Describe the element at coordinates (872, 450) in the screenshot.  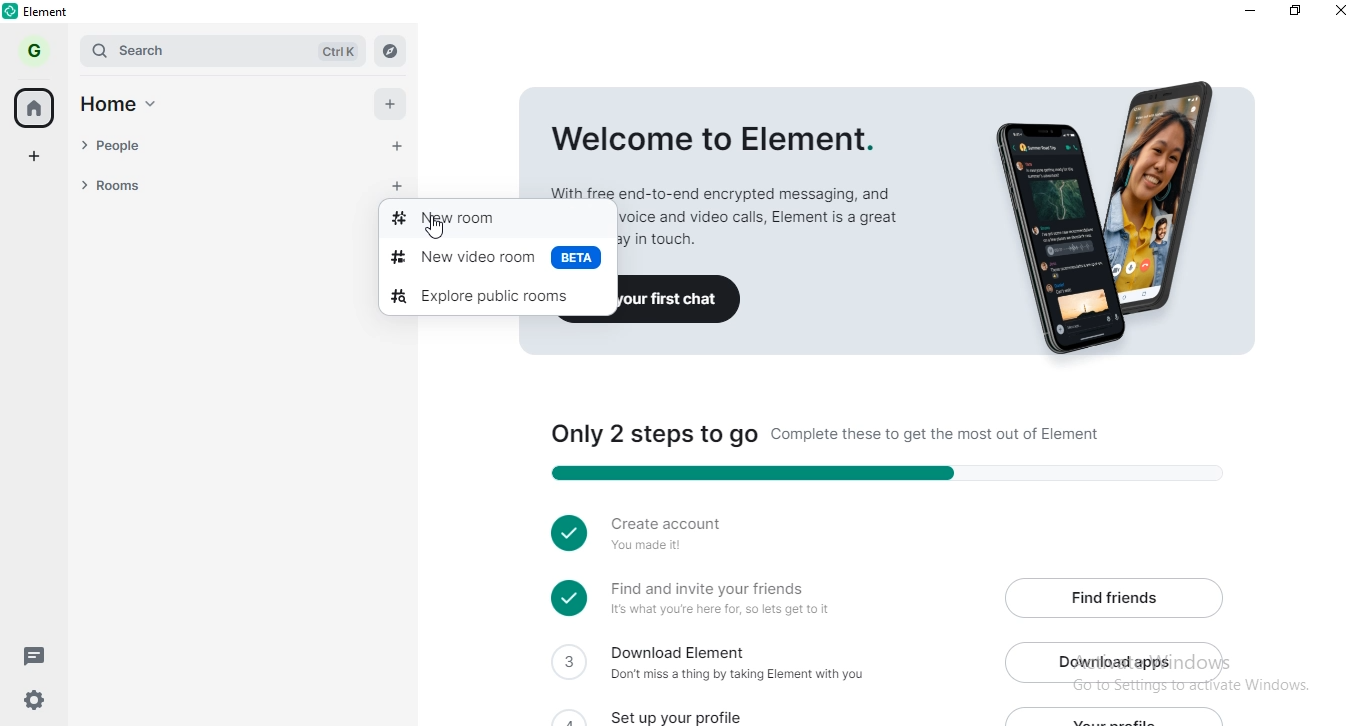
I see `only 2 steps to go` at that location.